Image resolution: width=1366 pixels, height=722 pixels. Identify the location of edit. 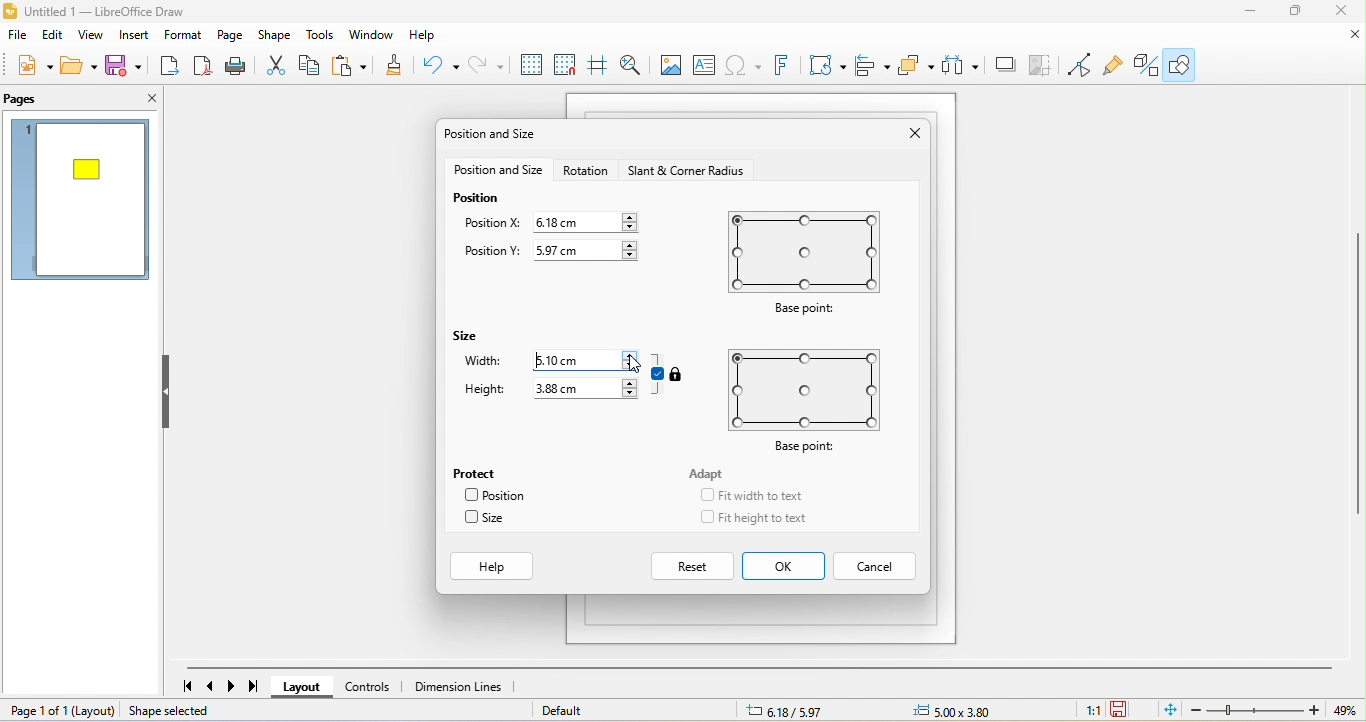
(54, 36).